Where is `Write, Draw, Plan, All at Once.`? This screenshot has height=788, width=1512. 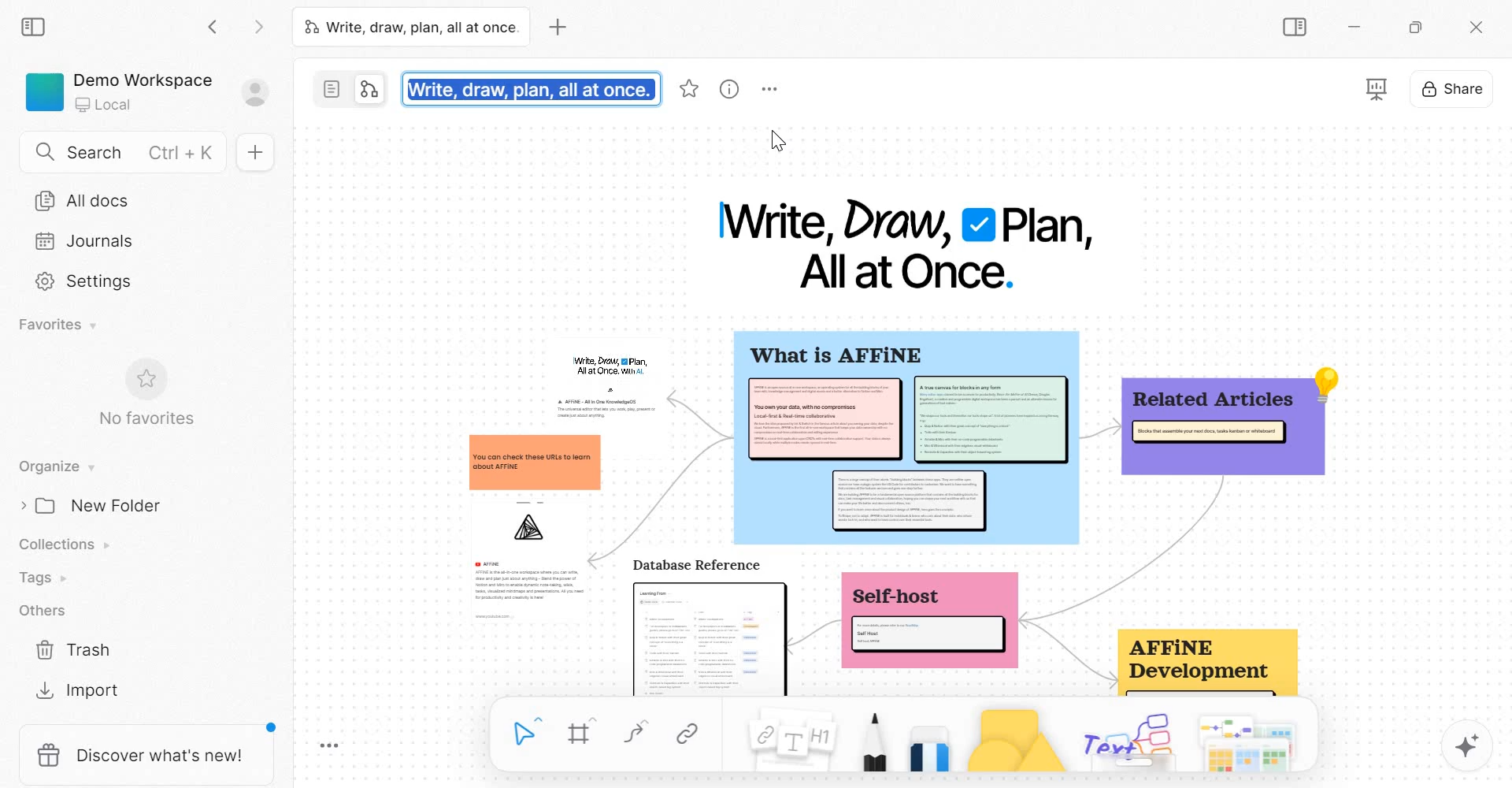 Write, Draw, Plan, All at Once. is located at coordinates (909, 244).